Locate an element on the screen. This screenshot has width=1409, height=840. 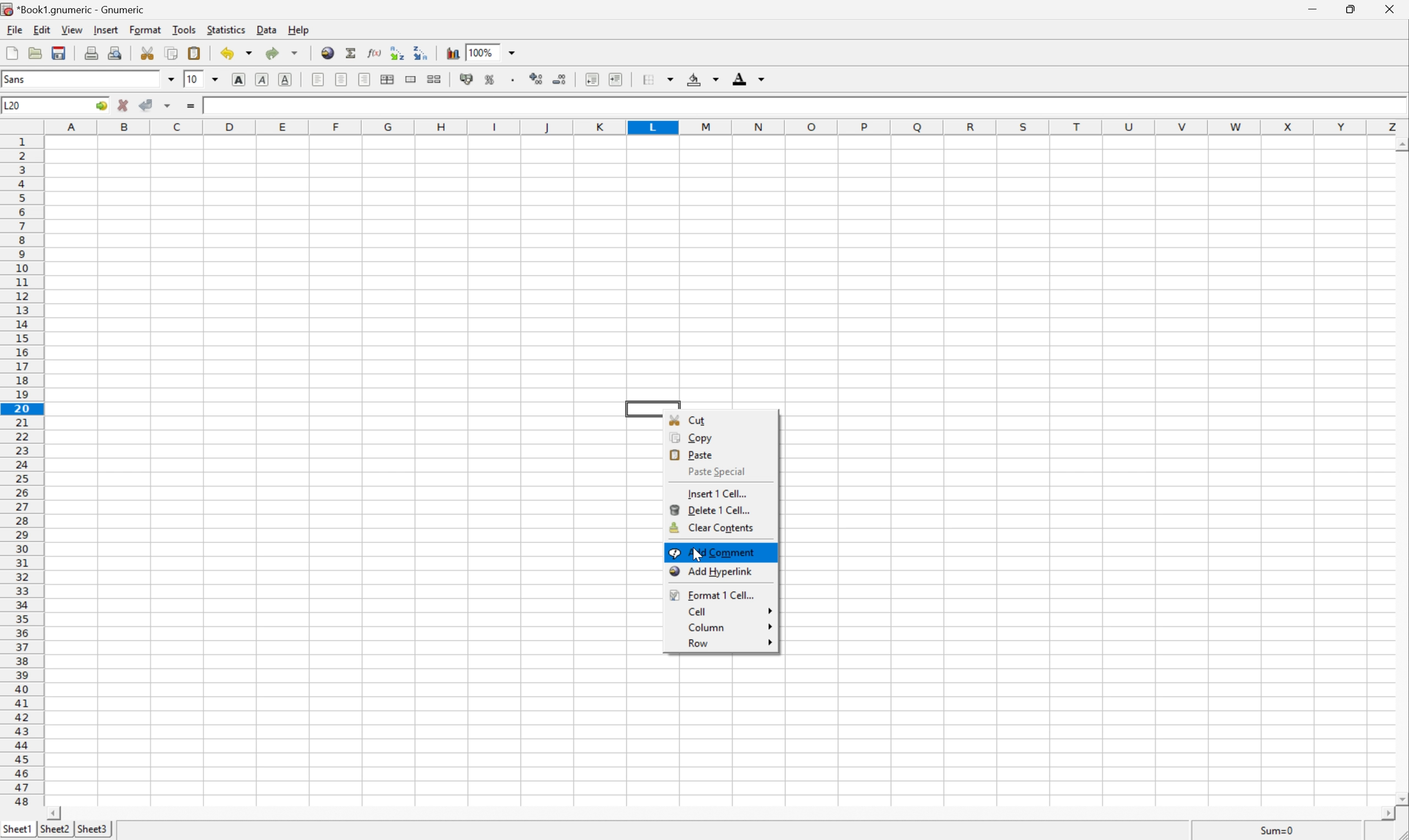
Align Left is located at coordinates (317, 80).